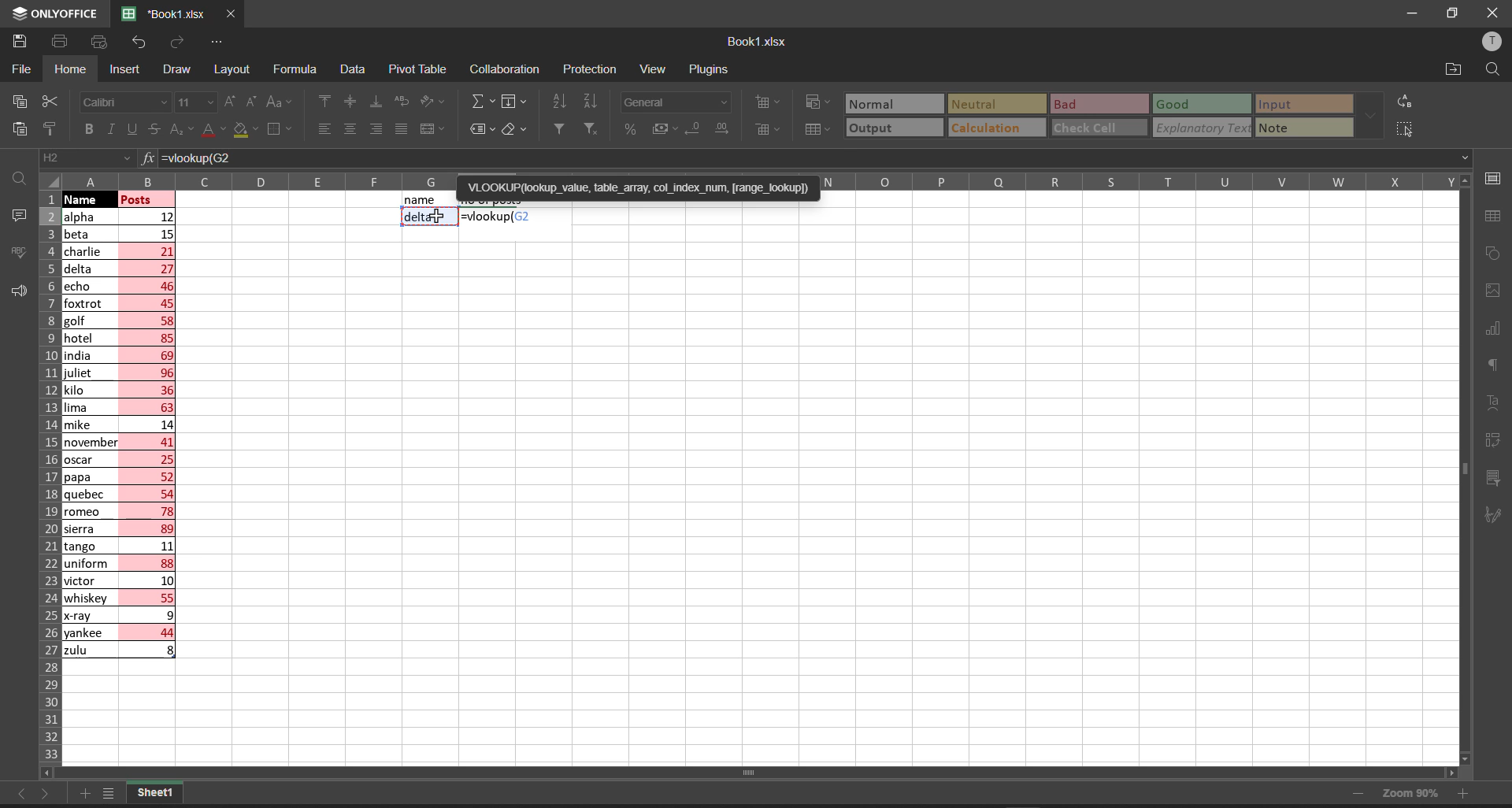 This screenshot has height=808, width=1512. I want to click on insert cells, so click(765, 103).